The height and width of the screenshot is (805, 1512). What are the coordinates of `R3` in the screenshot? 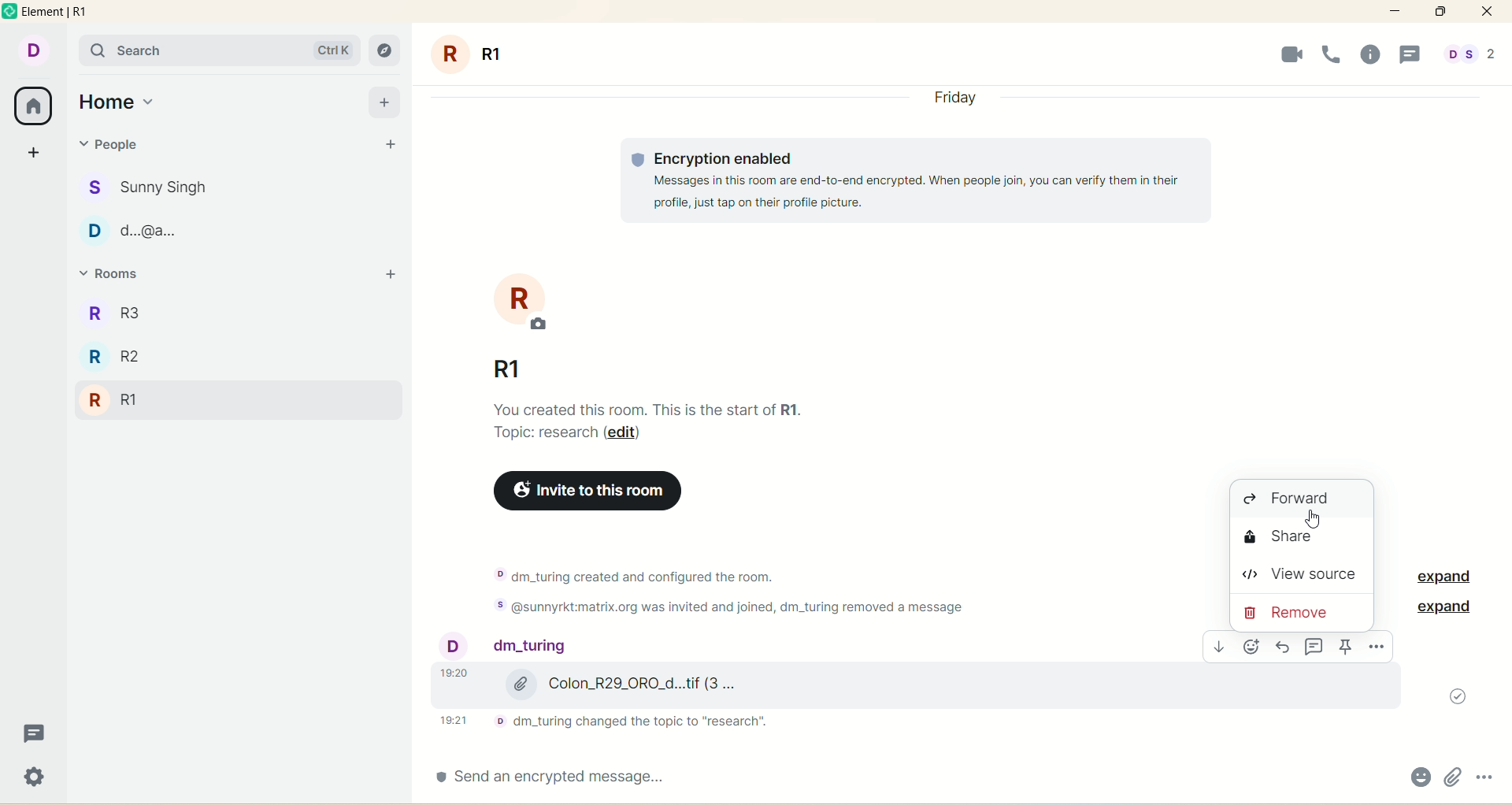 It's located at (144, 312).